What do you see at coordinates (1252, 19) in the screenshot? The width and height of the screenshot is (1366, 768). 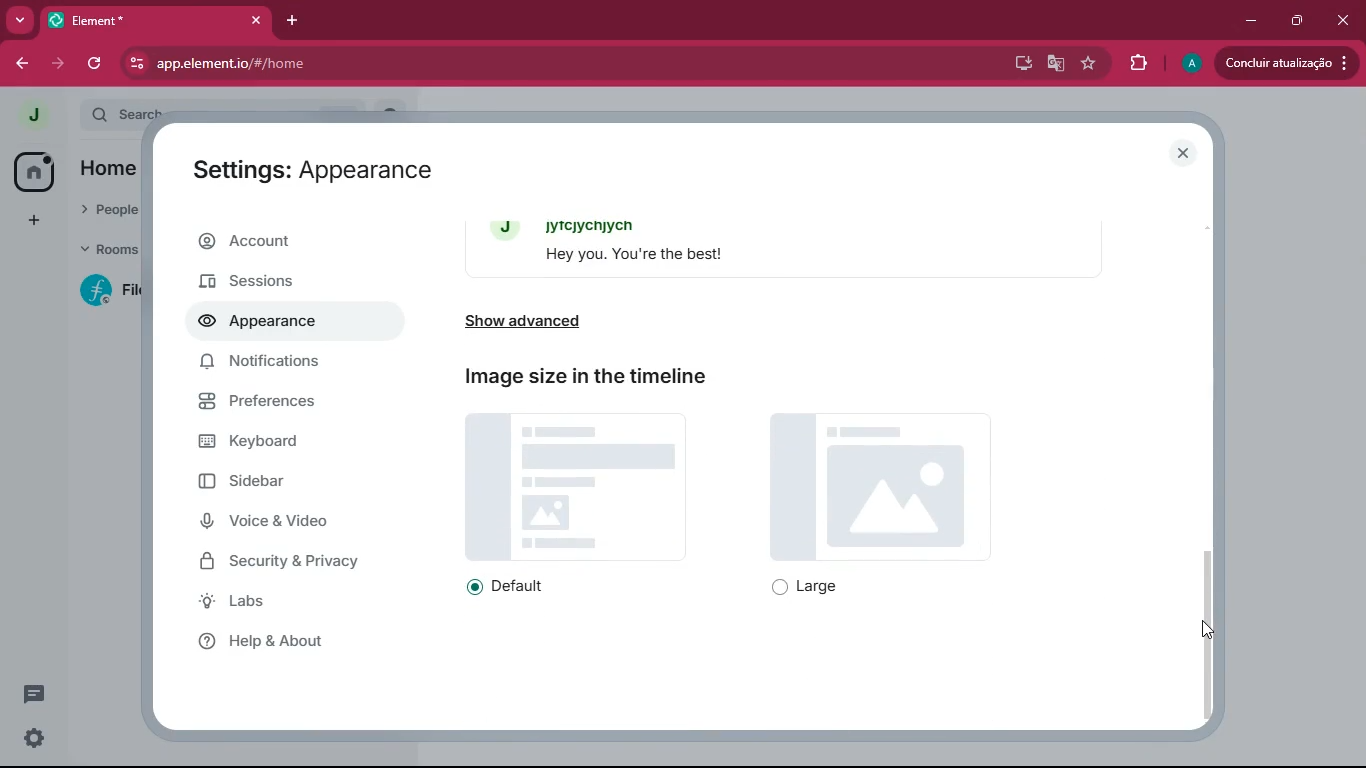 I see `minimize` at bounding box center [1252, 19].